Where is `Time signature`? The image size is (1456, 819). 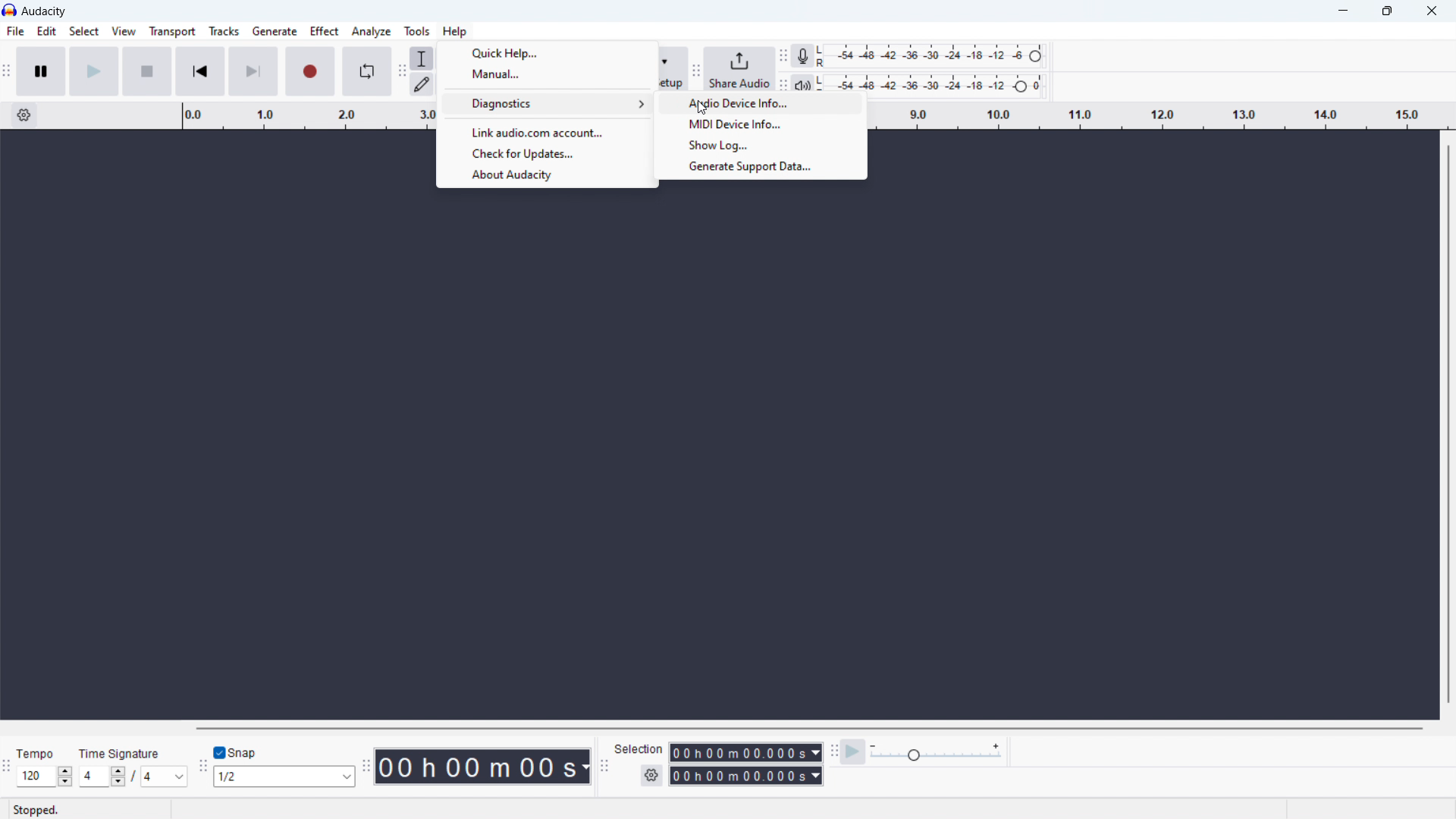 Time signature is located at coordinates (120, 753).